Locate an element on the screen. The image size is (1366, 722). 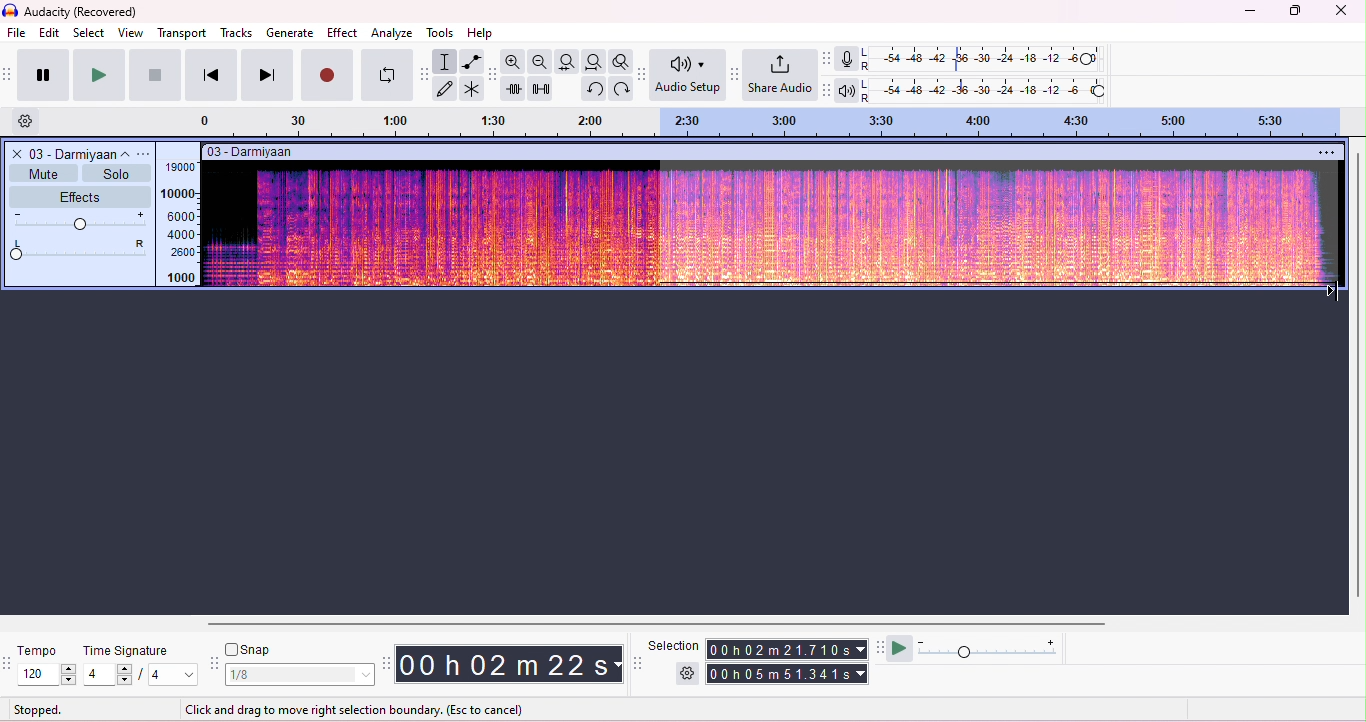
loop is located at coordinates (387, 76).